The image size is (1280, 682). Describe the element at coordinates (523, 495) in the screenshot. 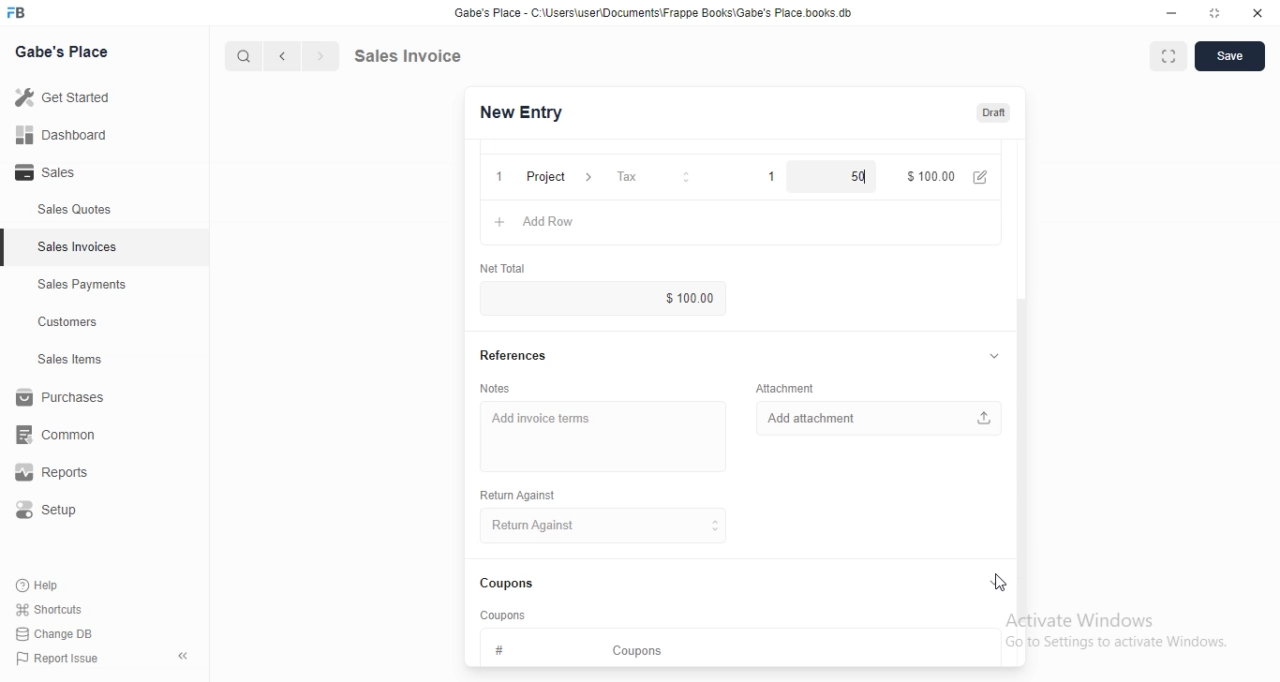

I see `Return Against` at that location.